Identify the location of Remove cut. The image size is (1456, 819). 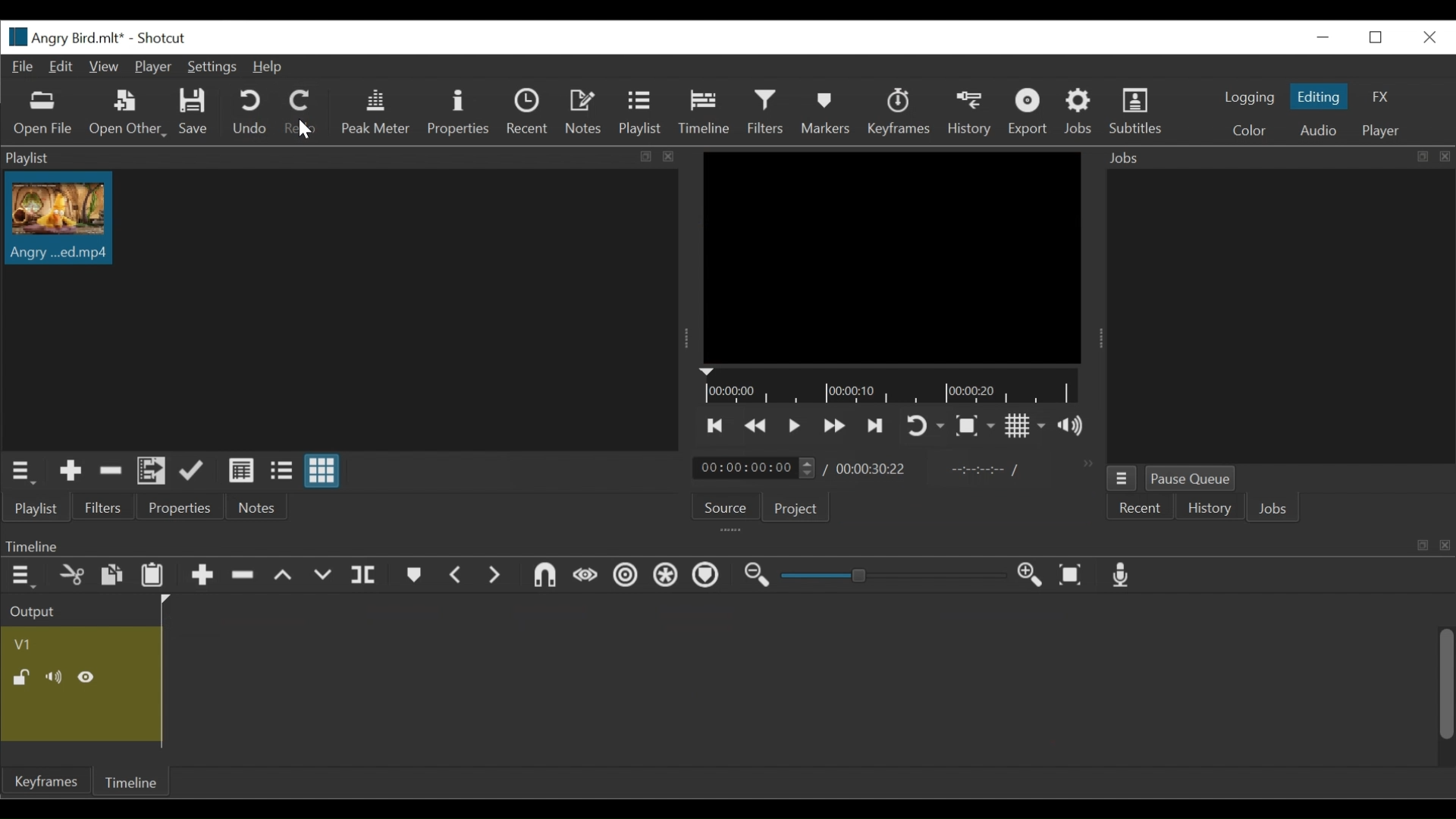
(72, 577).